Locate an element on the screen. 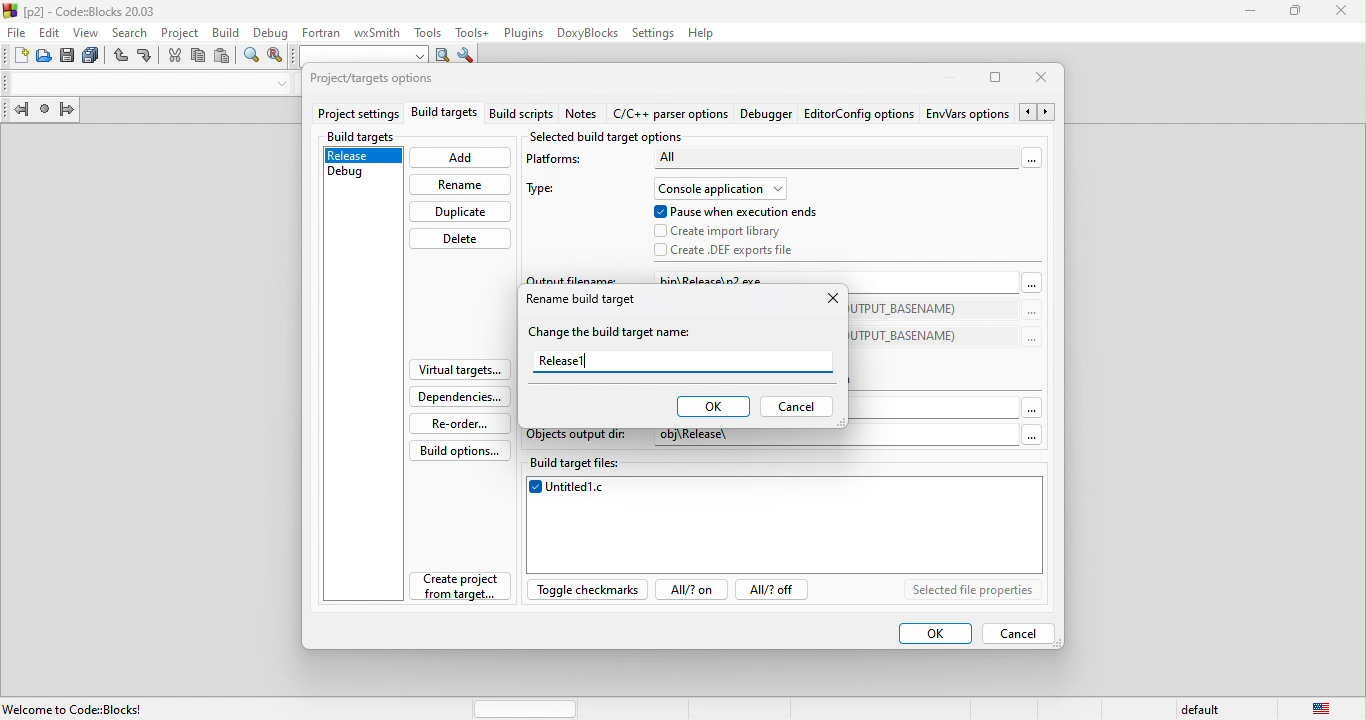 The height and width of the screenshot is (720, 1366). tools is located at coordinates (425, 31).